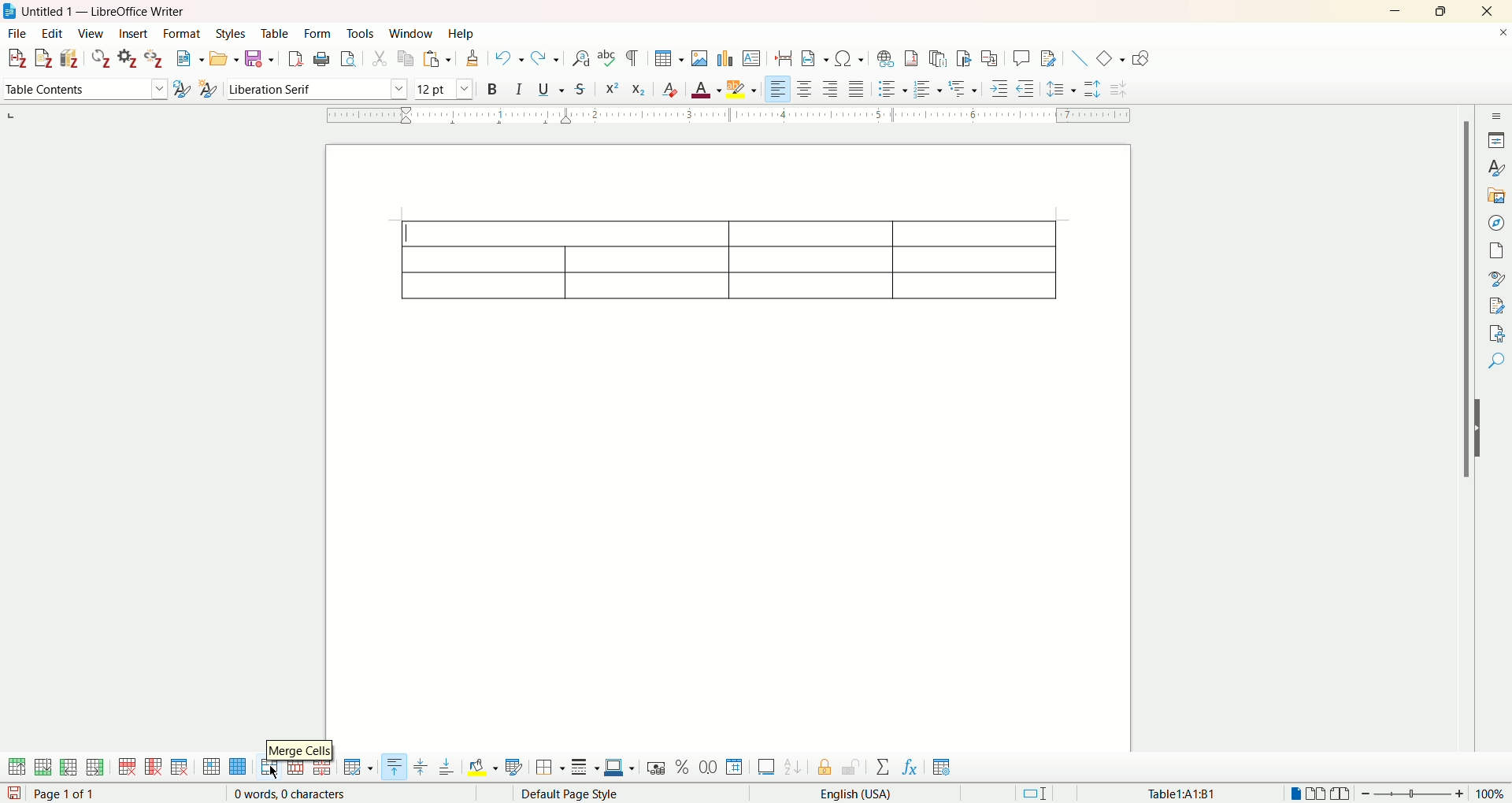 The width and height of the screenshot is (1512, 803). Describe the element at coordinates (1341, 794) in the screenshot. I see `book view` at that location.